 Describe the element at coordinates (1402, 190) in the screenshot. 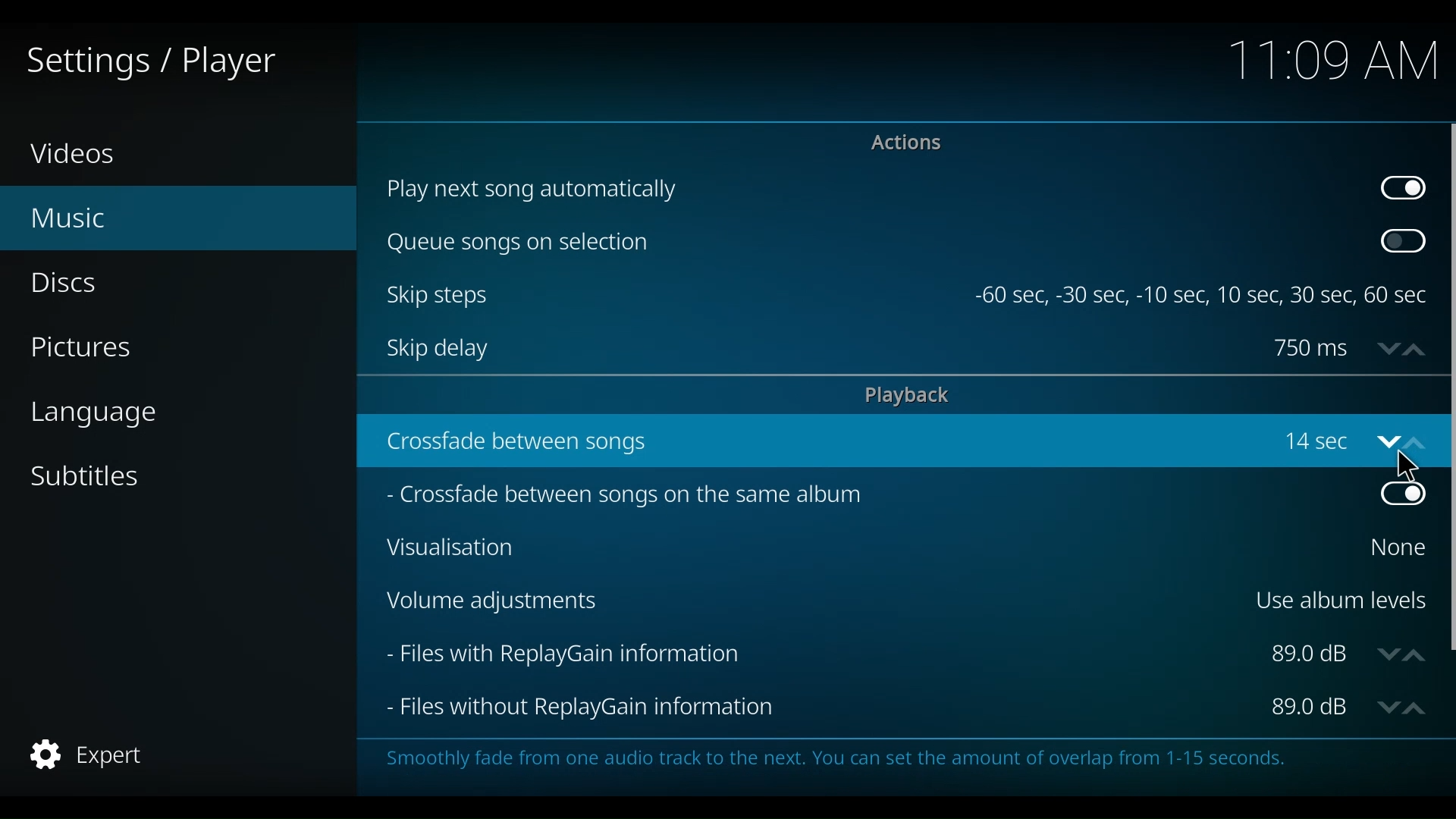

I see `Toggle on/off play next song automatically` at that location.